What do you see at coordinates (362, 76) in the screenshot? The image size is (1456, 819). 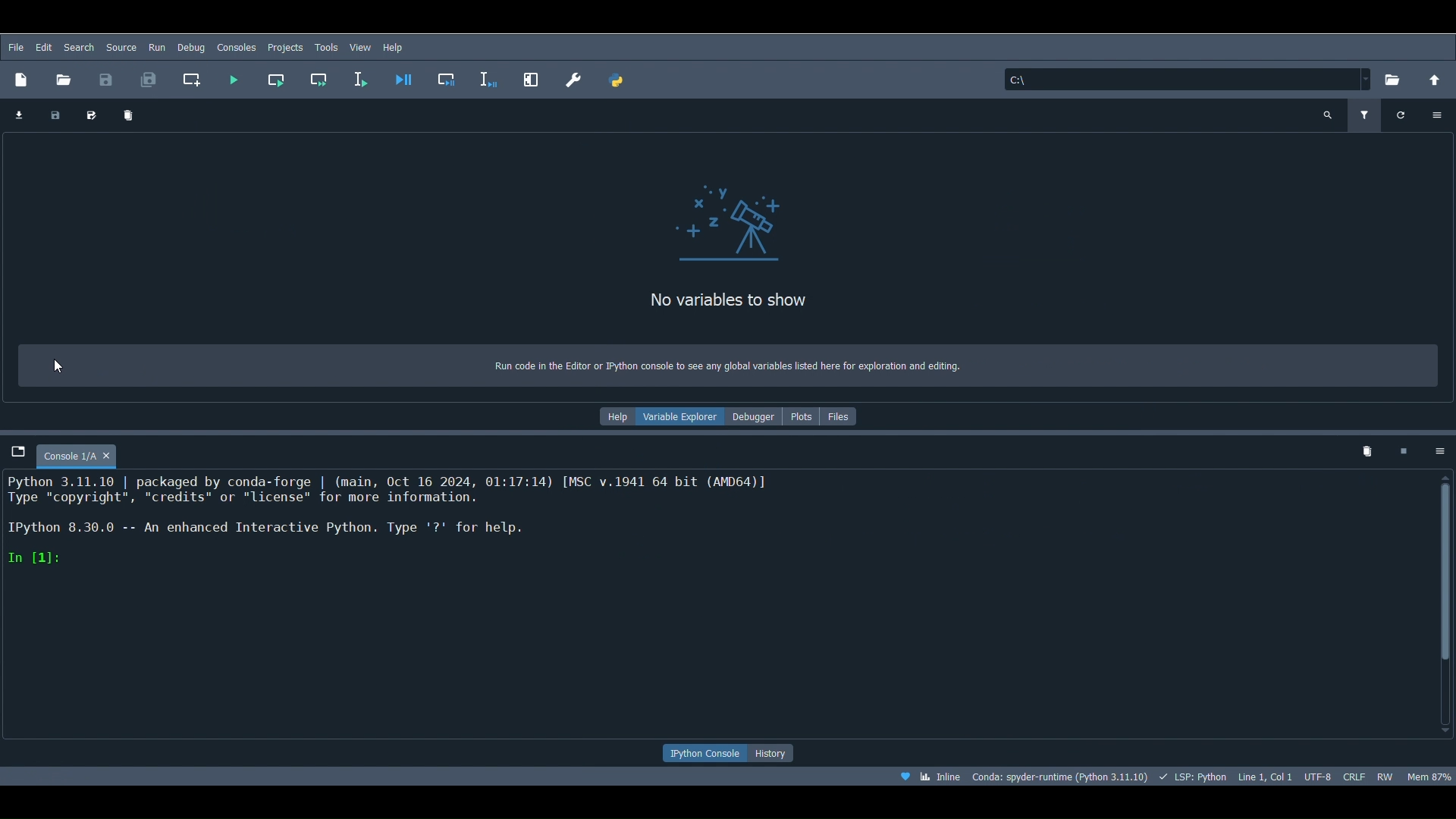 I see `Run selection or current line (F9)` at bounding box center [362, 76].